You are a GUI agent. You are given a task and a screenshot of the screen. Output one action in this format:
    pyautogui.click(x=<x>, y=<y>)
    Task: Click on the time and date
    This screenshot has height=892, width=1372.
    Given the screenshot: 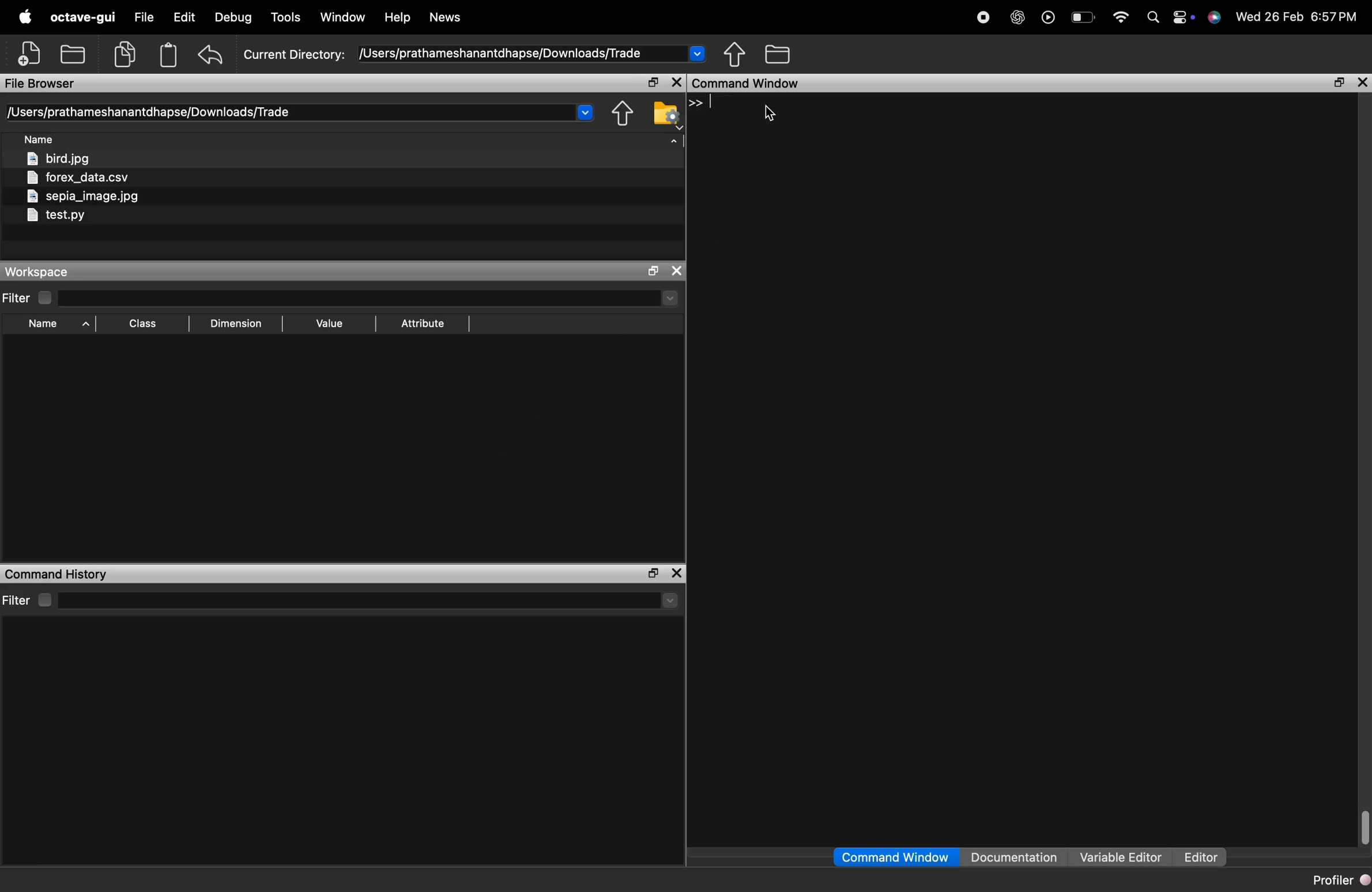 What is the action you would take?
    pyautogui.click(x=1300, y=17)
    